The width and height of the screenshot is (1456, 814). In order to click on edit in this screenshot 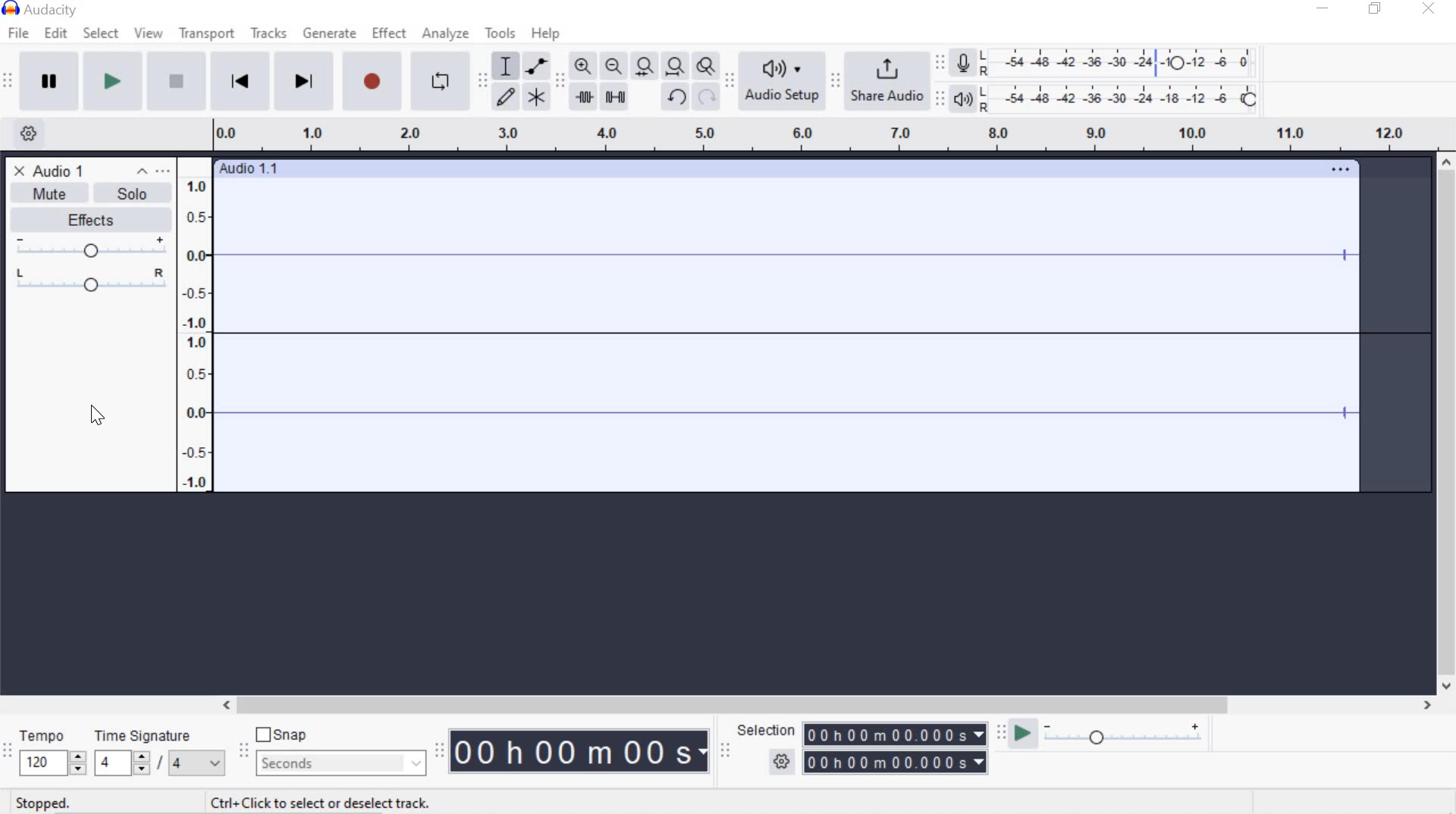, I will do `click(55, 33)`.